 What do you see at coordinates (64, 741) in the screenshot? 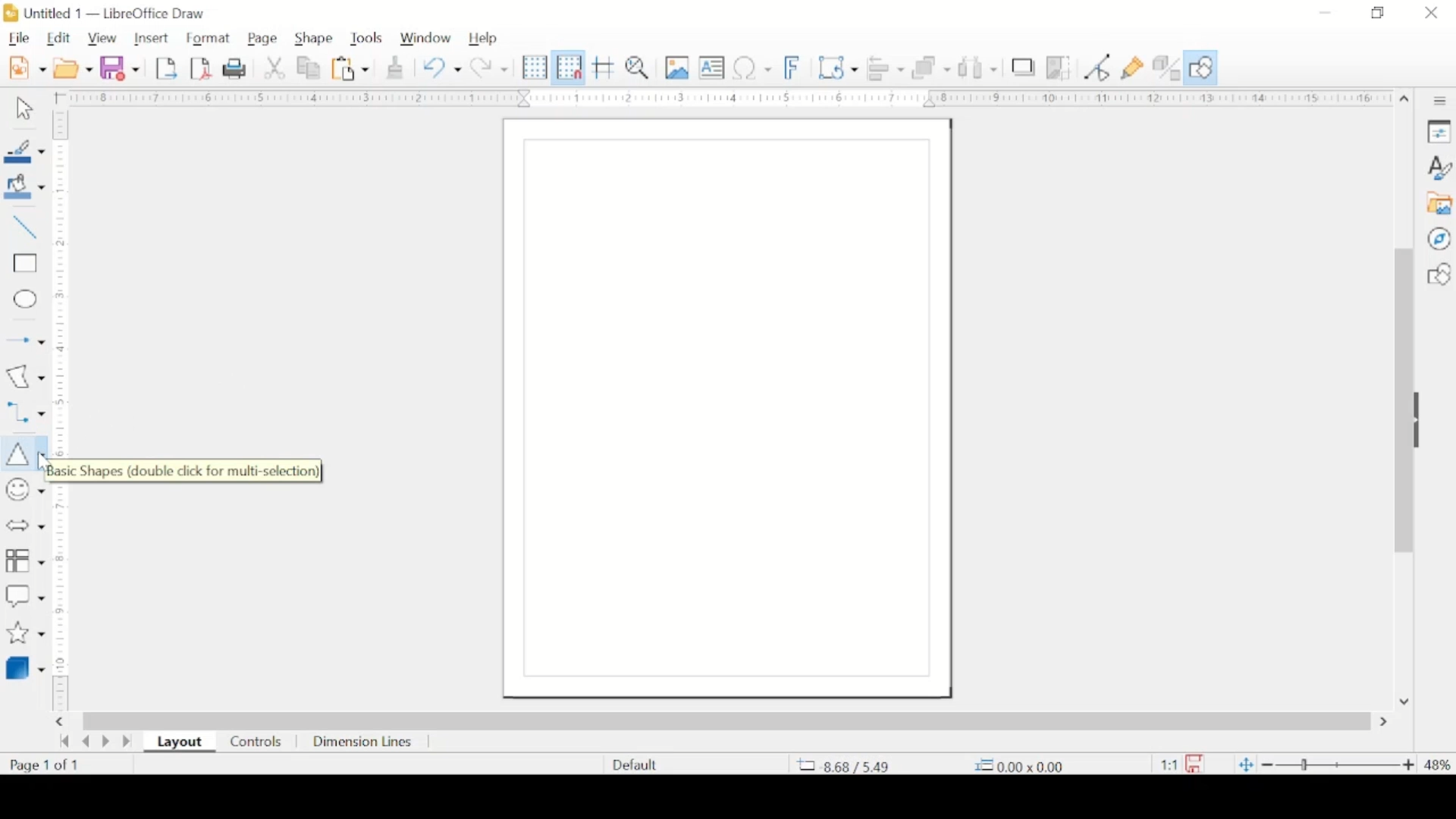
I see `go back` at bounding box center [64, 741].